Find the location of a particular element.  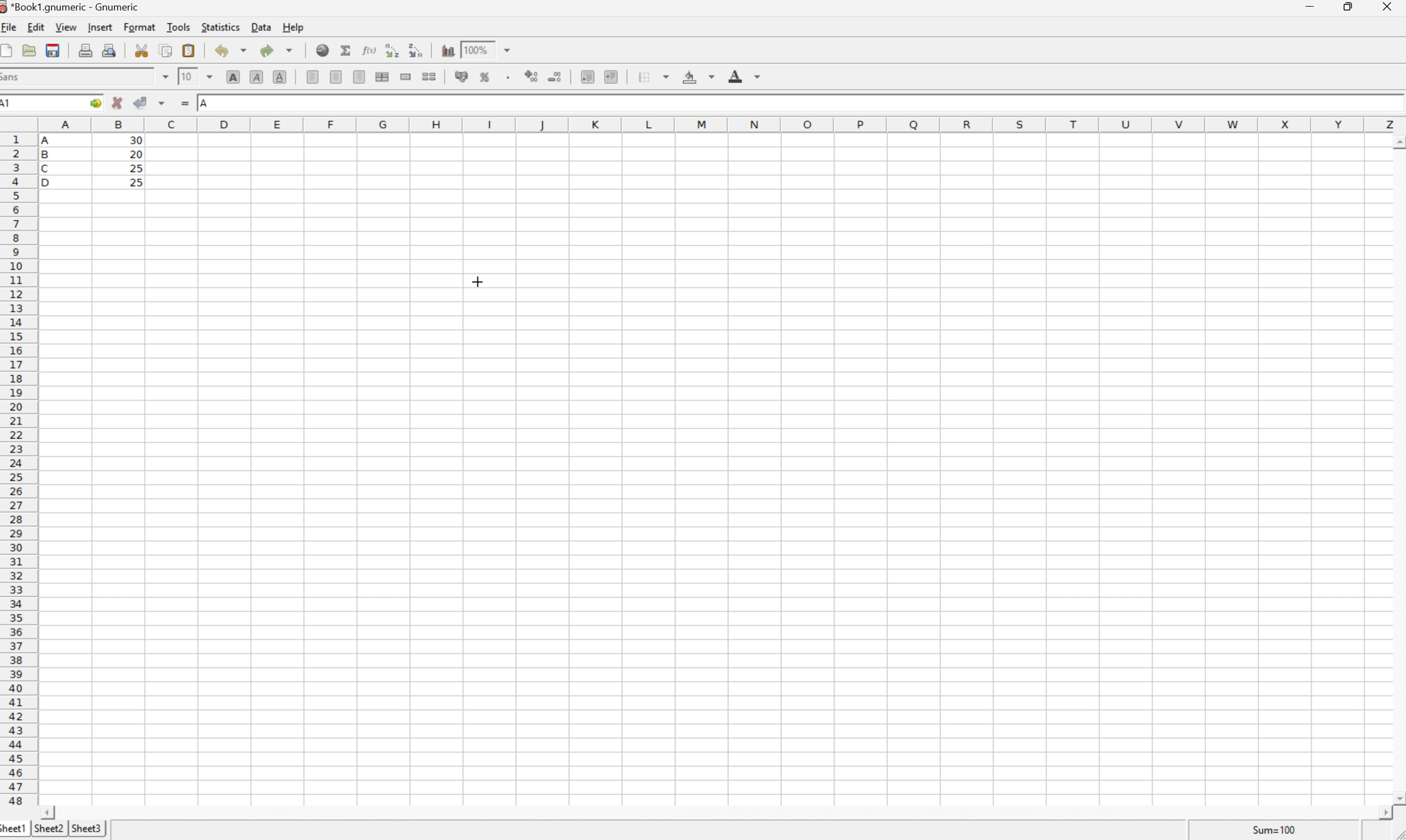

Help is located at coordinates (294, 27).